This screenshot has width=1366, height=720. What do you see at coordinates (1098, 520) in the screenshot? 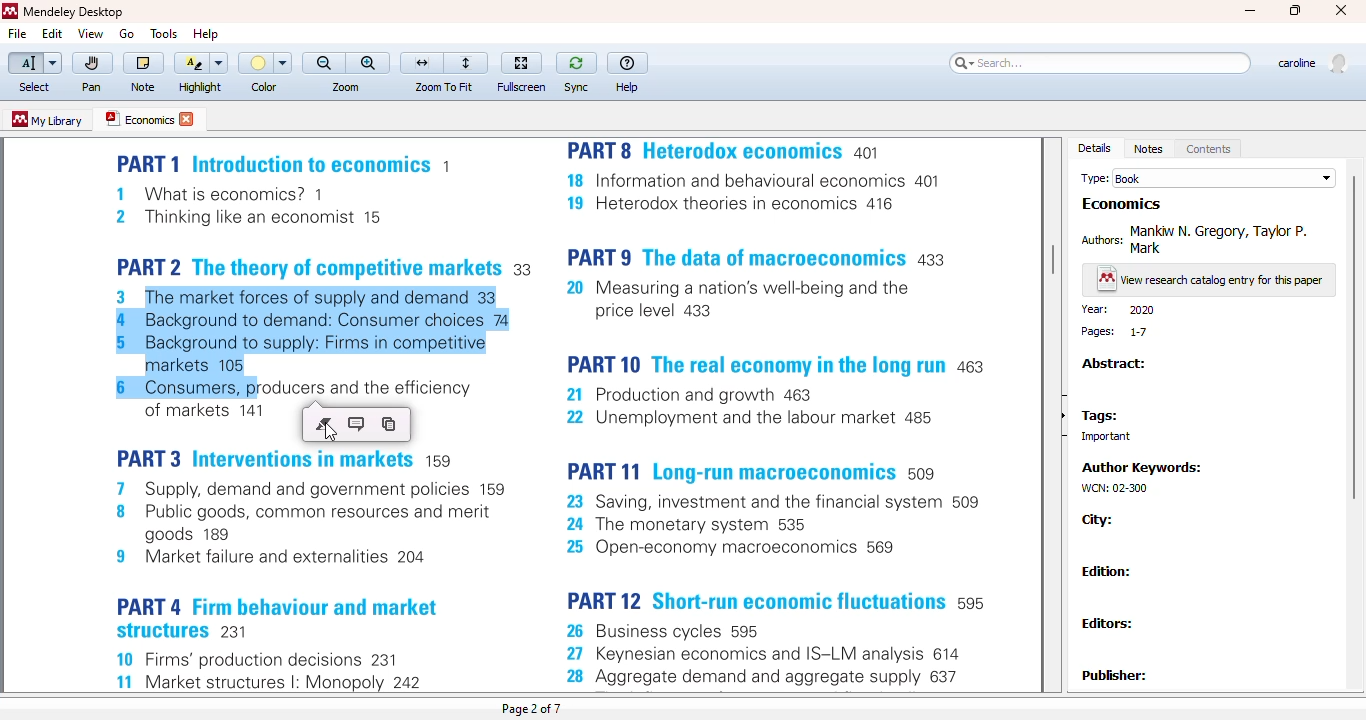
I see `city` at bounding box center [1098, 520].